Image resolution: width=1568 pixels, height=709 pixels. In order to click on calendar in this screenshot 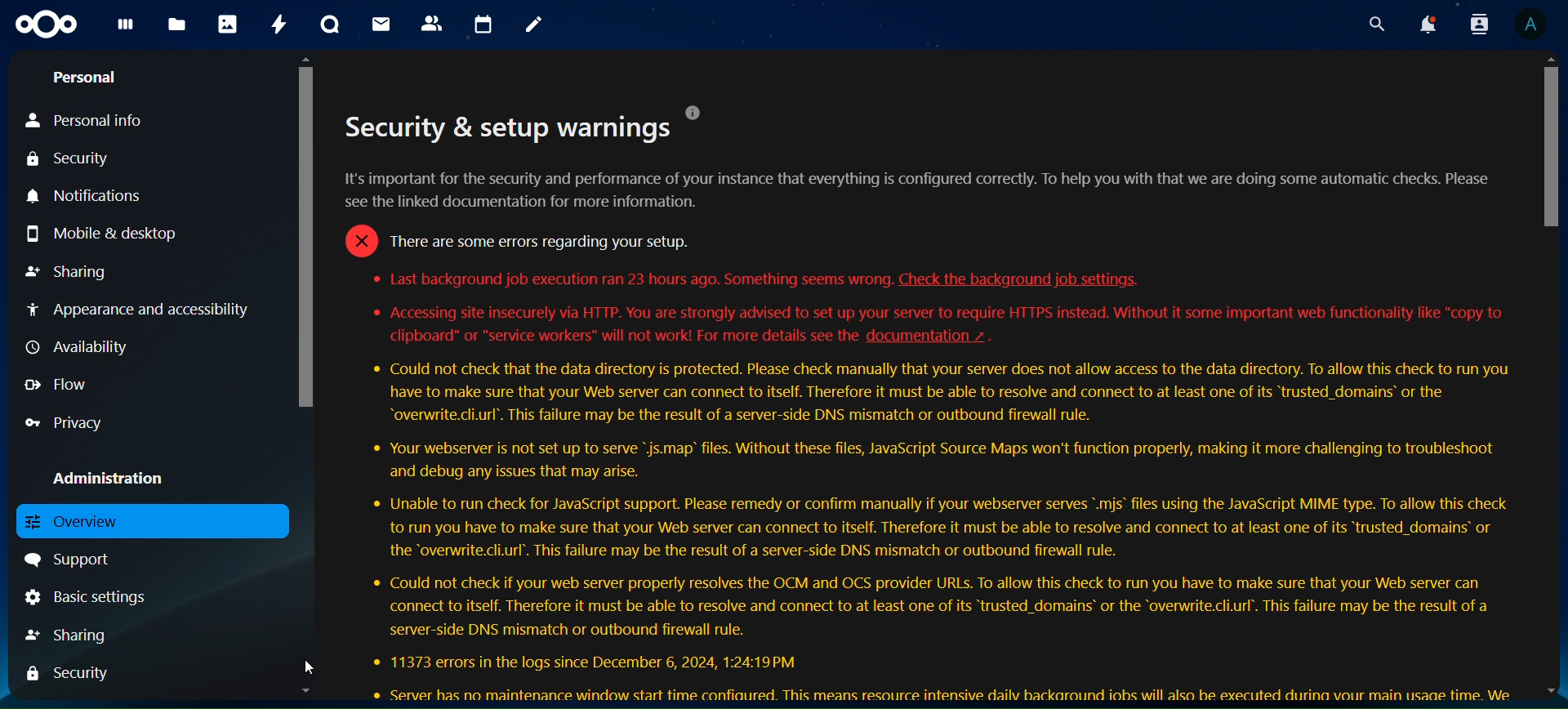, I will do `click(481, 24)`.